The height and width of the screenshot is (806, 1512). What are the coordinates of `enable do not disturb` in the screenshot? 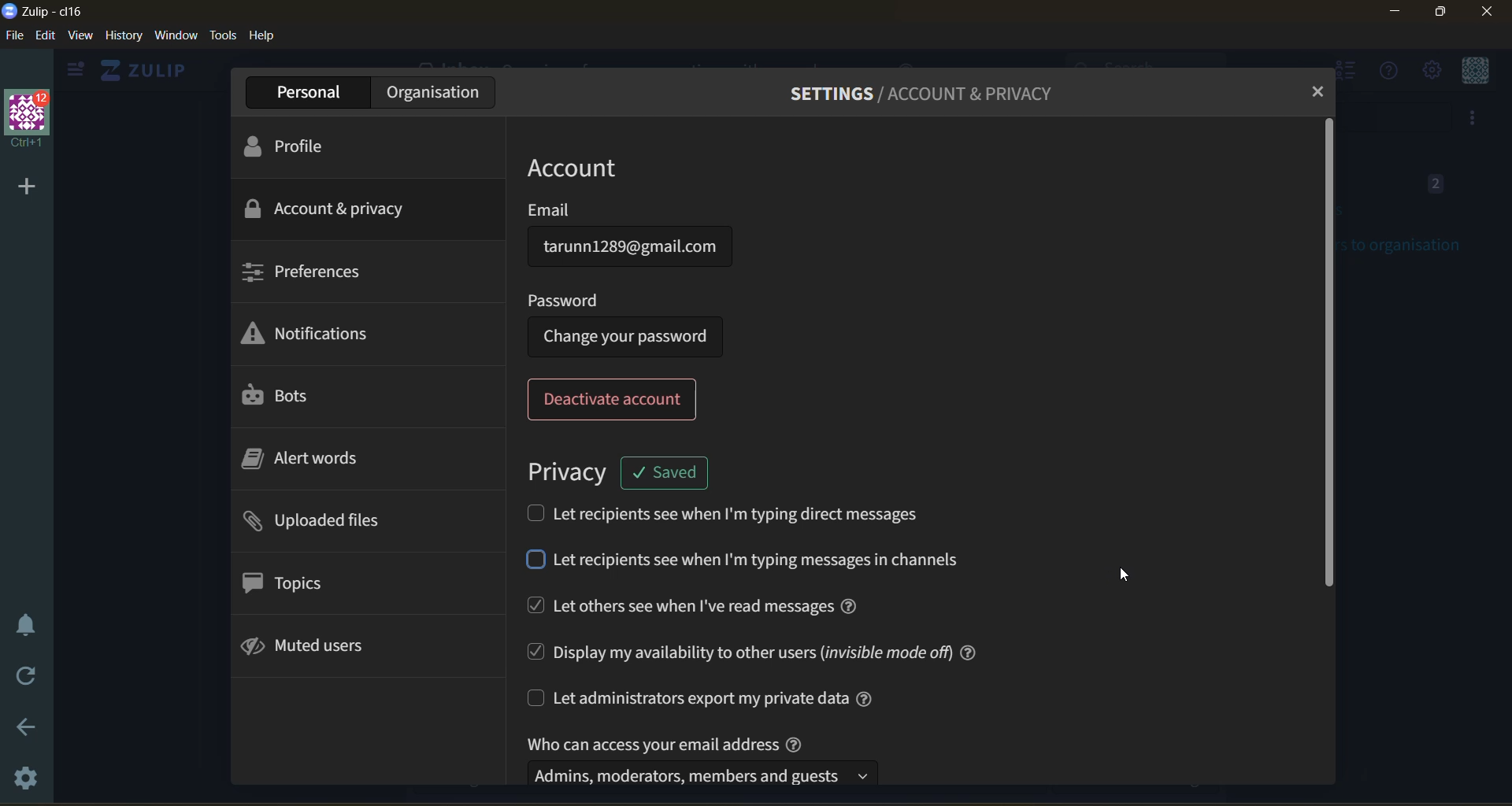 It's located at (26, 625).